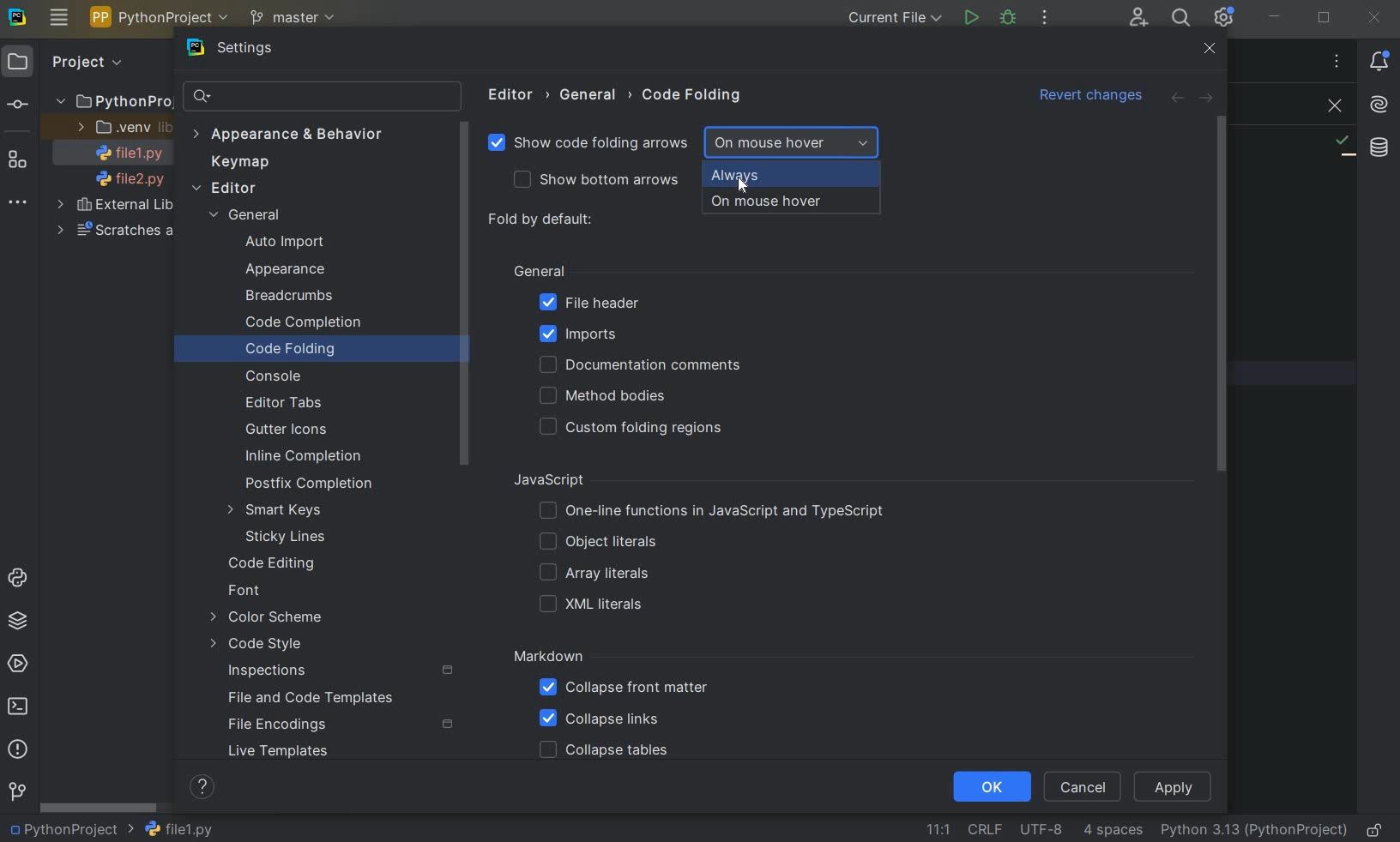 This screenshot has width=1400, height=842. What do you see at coordinates (245, 162) in the screenshot?
I see `KEYMAP` at bounding box center [245, 162].